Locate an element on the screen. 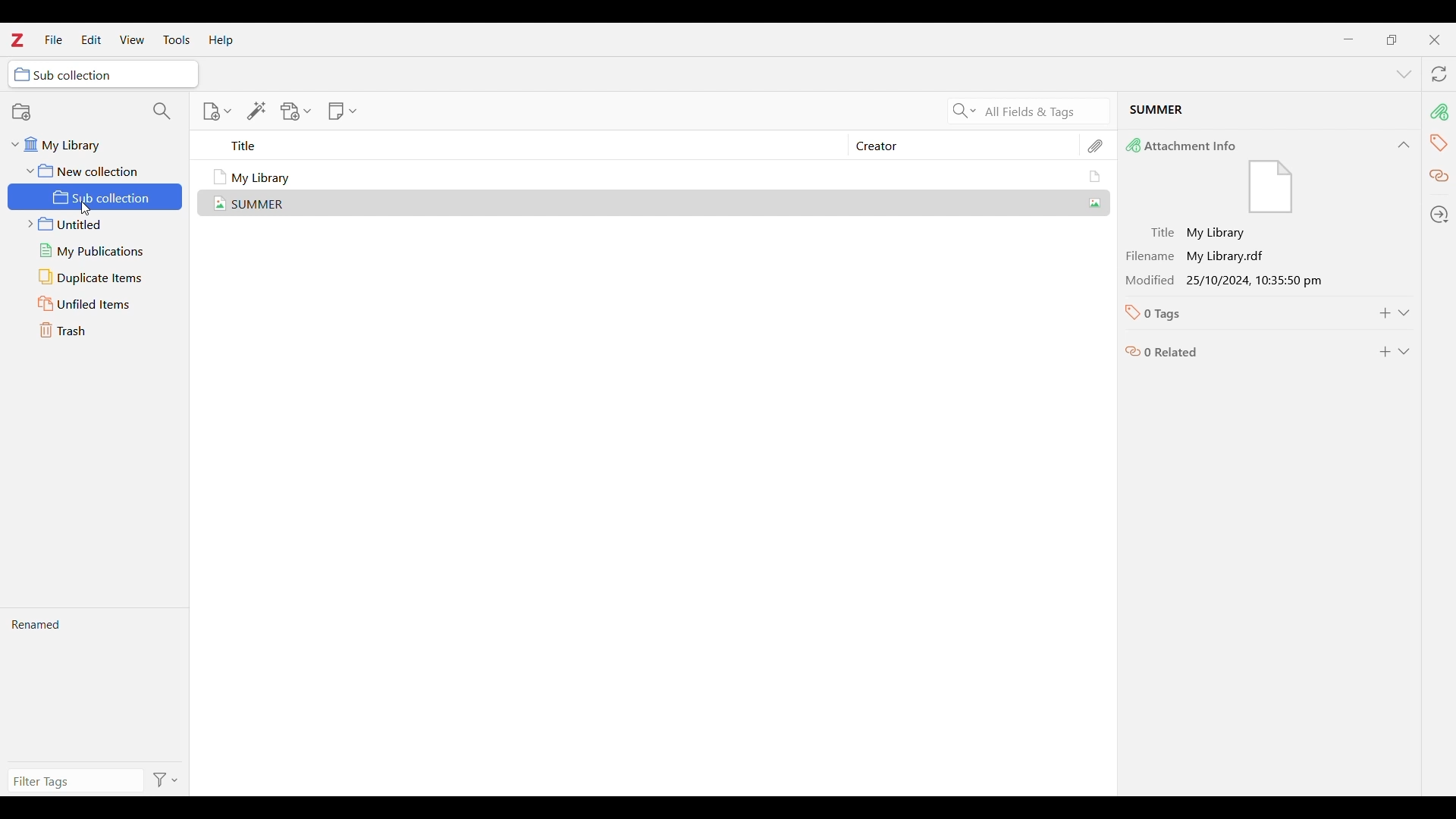  Filename : My library.rdf is located at coordinates (1241, 256).